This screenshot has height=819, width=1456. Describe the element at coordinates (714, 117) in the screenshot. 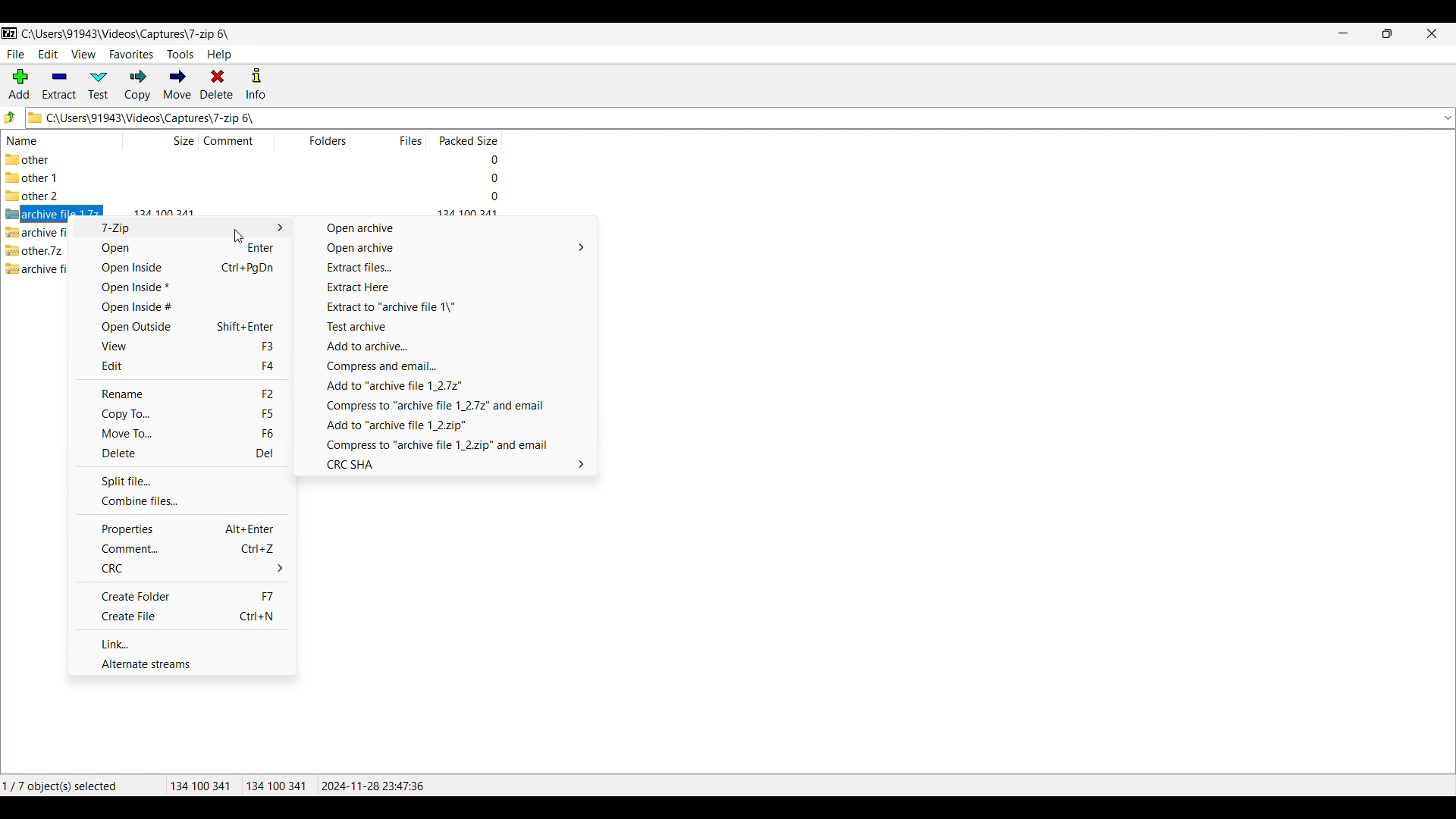

I see `C:\Users\91943\Videos\Captures\7-zip 6\` at that location.